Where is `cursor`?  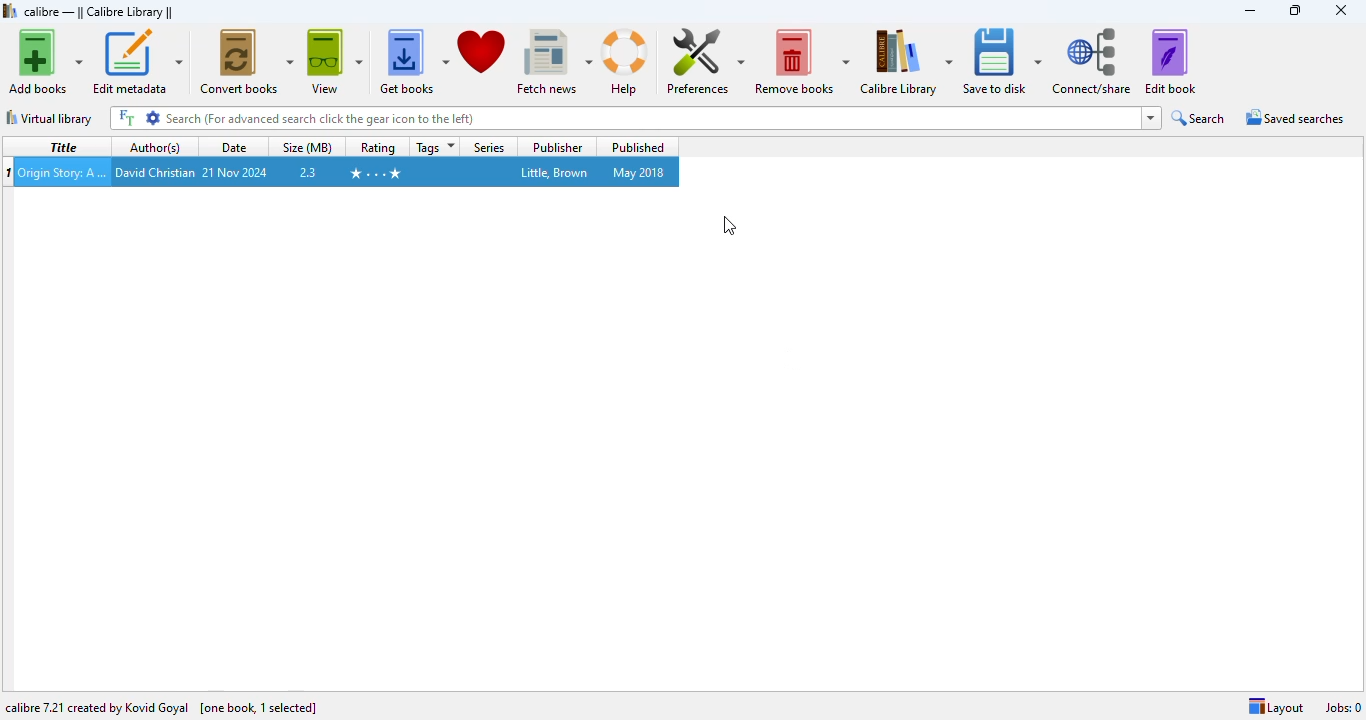 cursor is located at coordinates (732, 227).